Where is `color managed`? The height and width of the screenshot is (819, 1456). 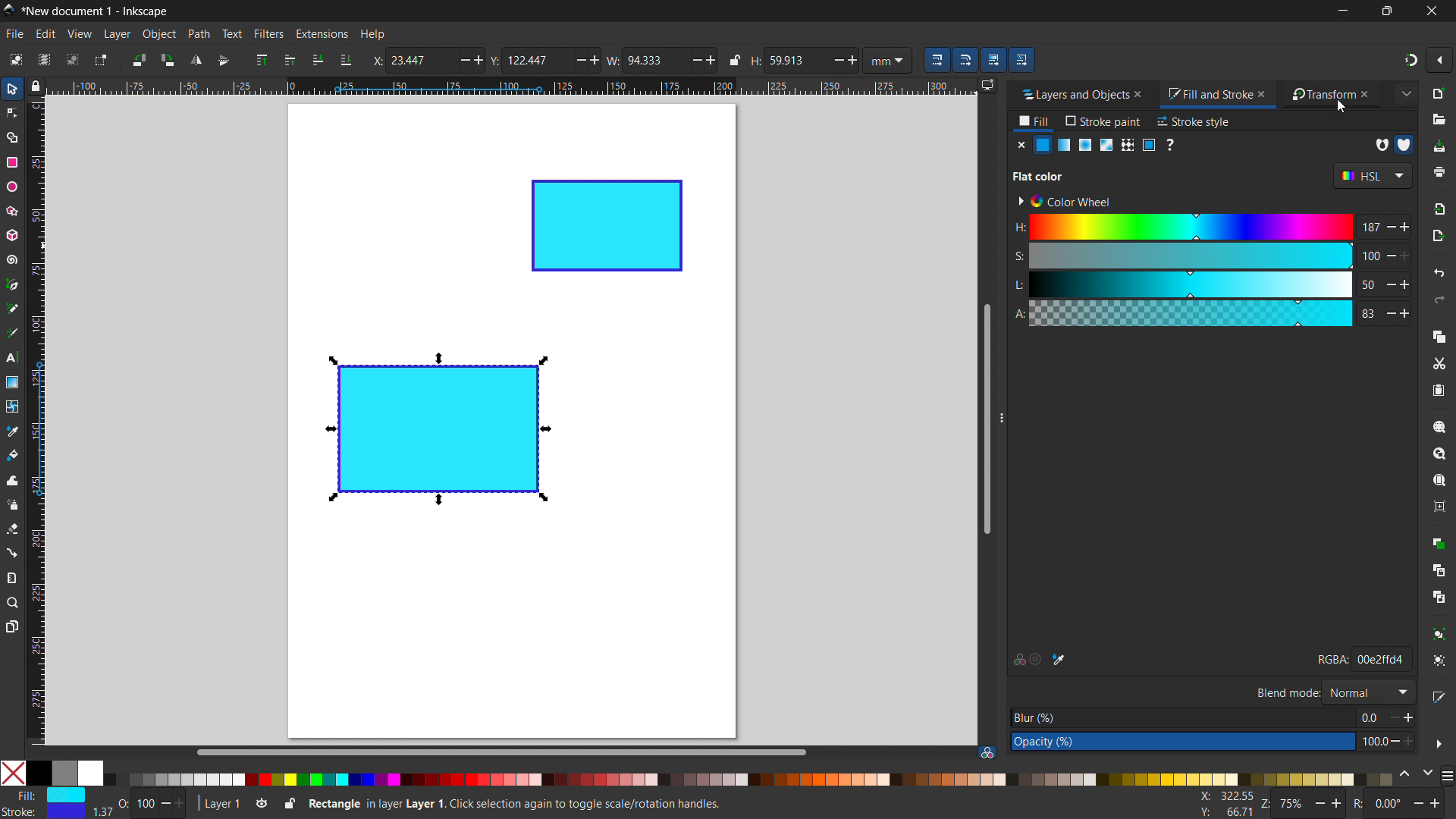
color managed is located at coordinates (987, 752).